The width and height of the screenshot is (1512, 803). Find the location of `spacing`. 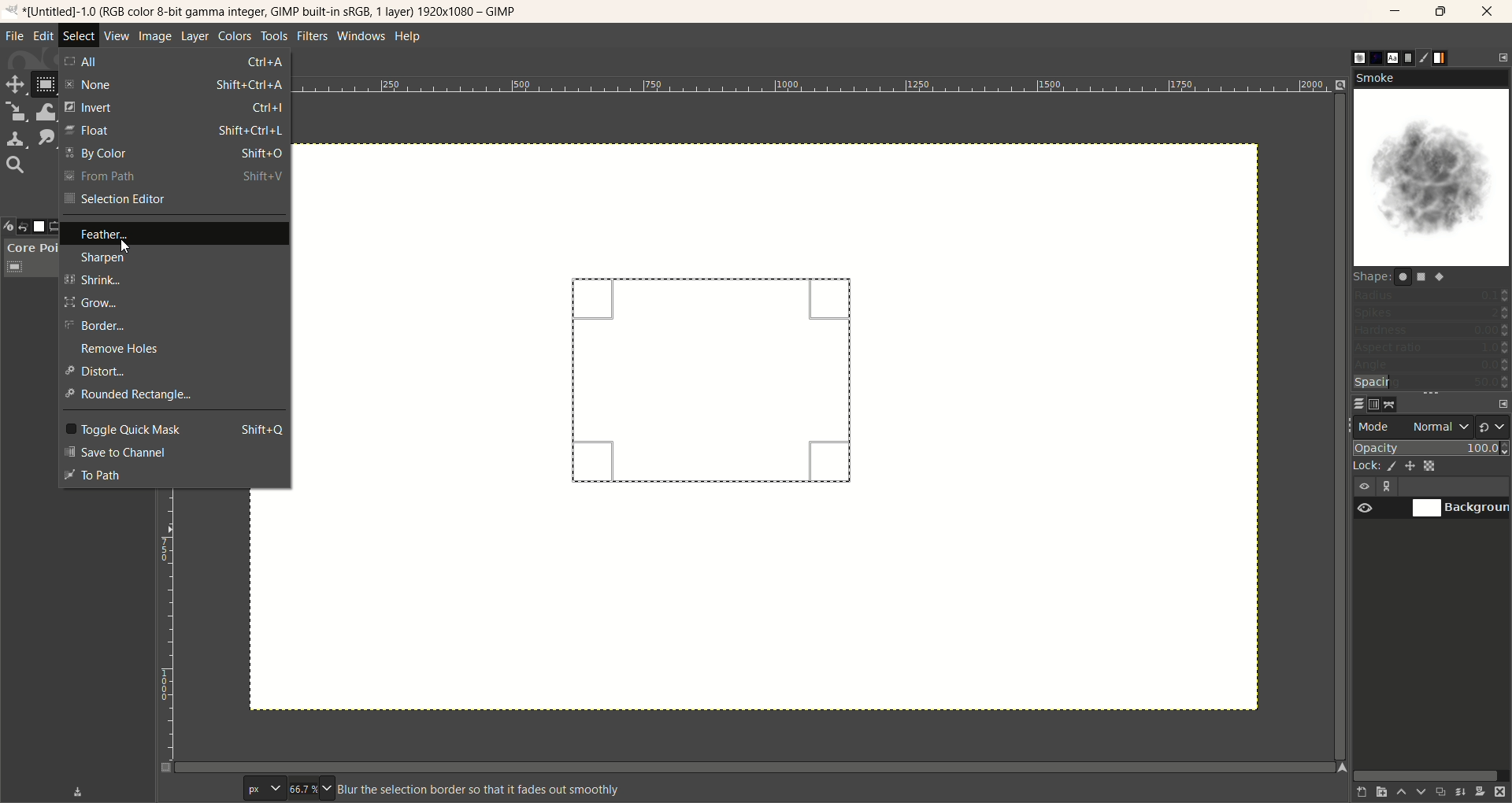

spacing is located at coordinates (1432, 384).